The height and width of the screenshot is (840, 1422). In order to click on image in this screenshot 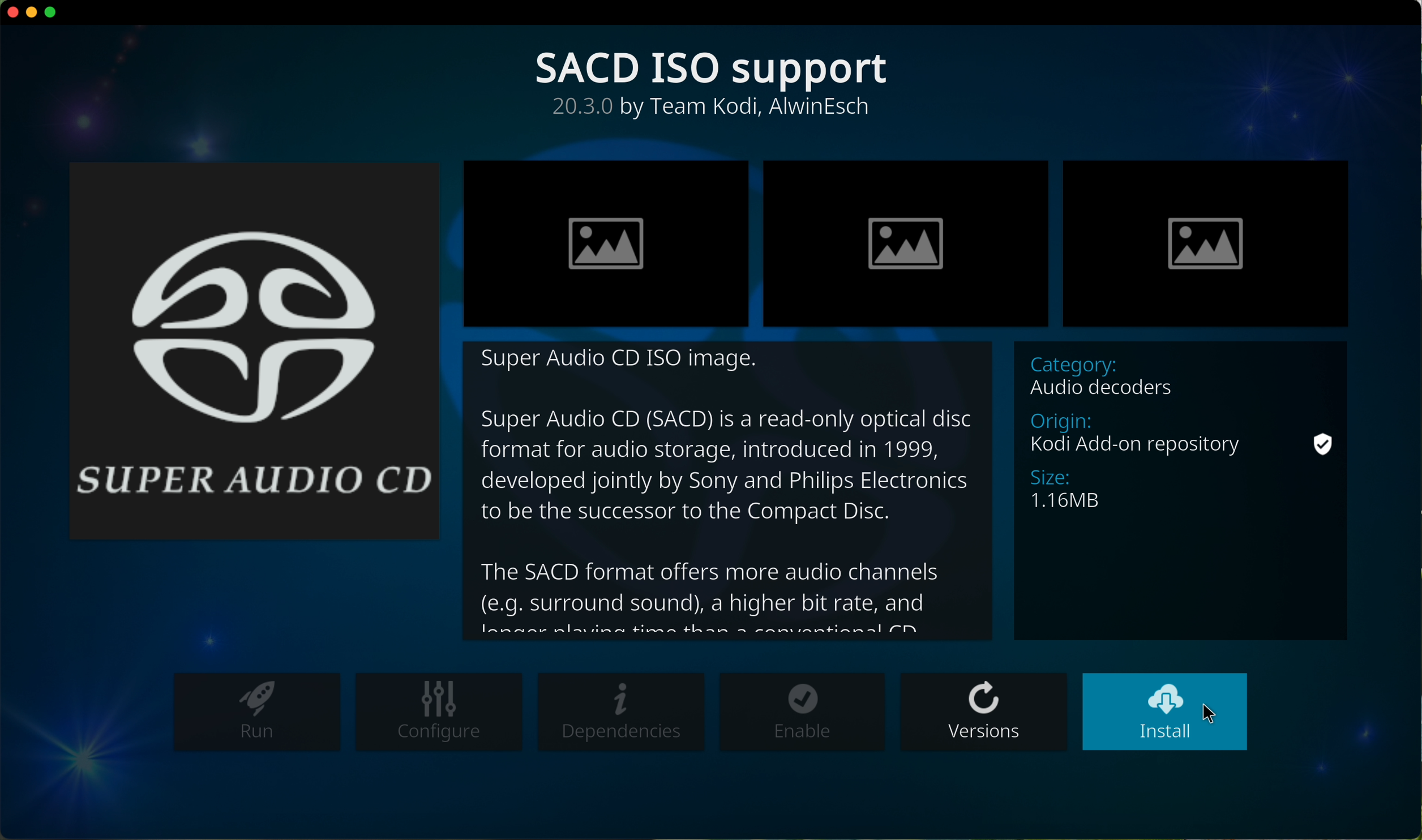, I will do `click(905, 242)`.